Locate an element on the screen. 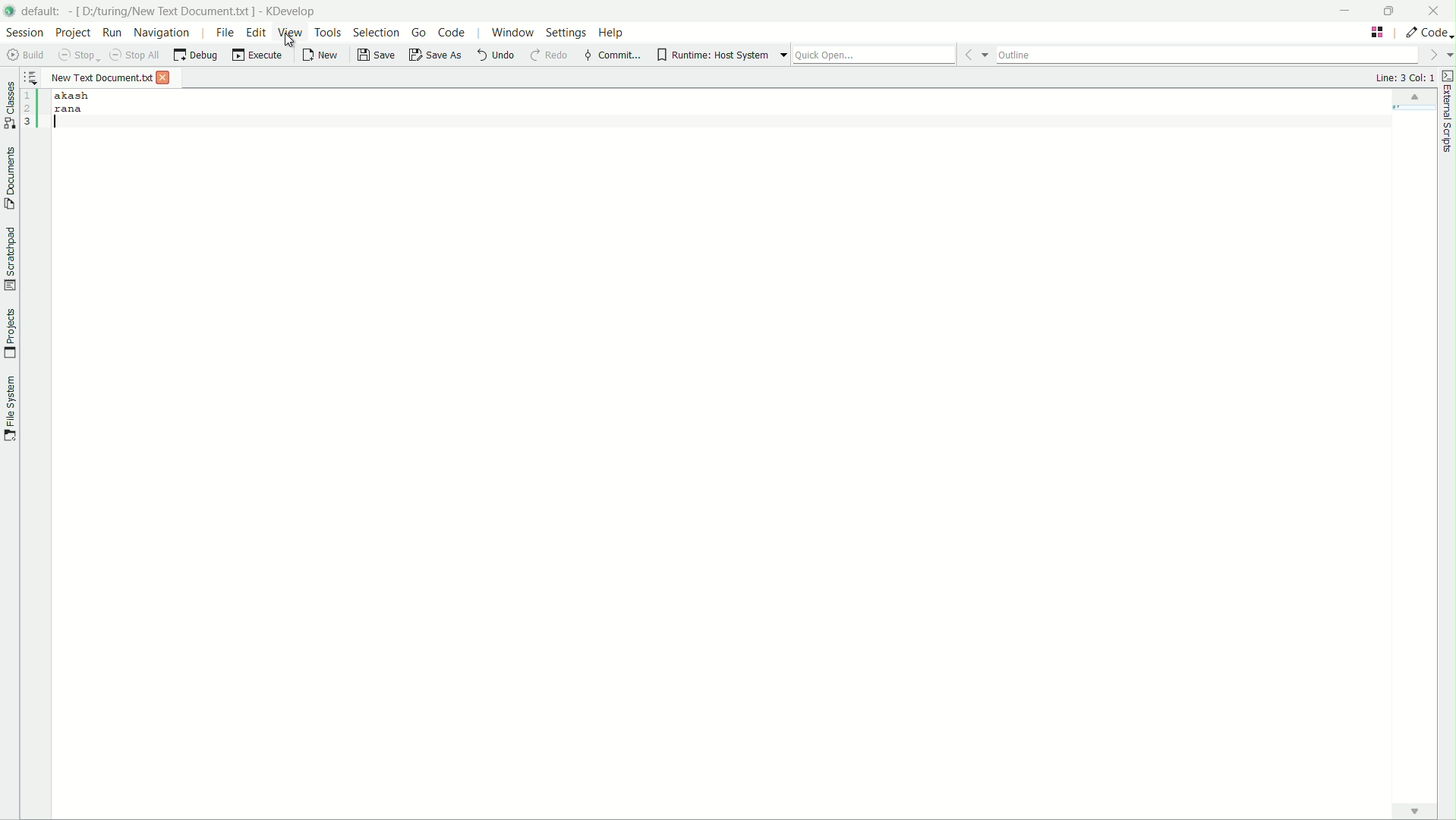  more options is located at coordinates (974, 52).